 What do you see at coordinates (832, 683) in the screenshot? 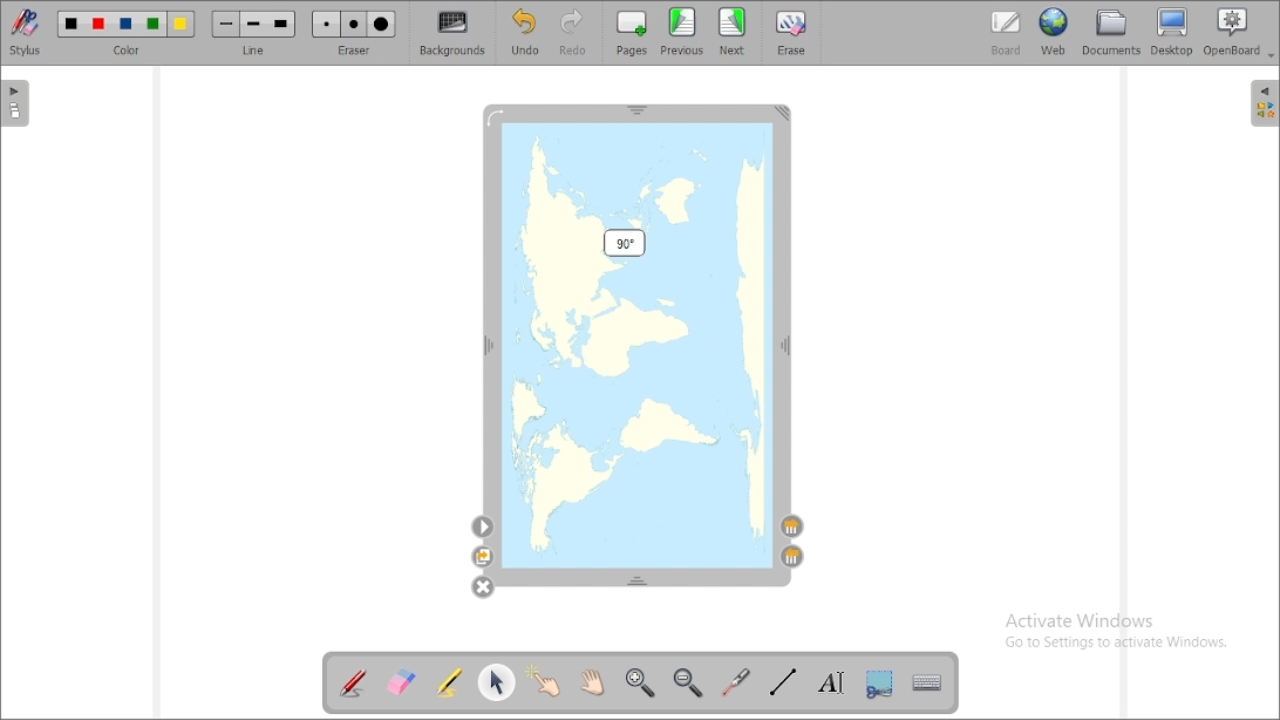
I see `write text` at bounding box center [832, 683].